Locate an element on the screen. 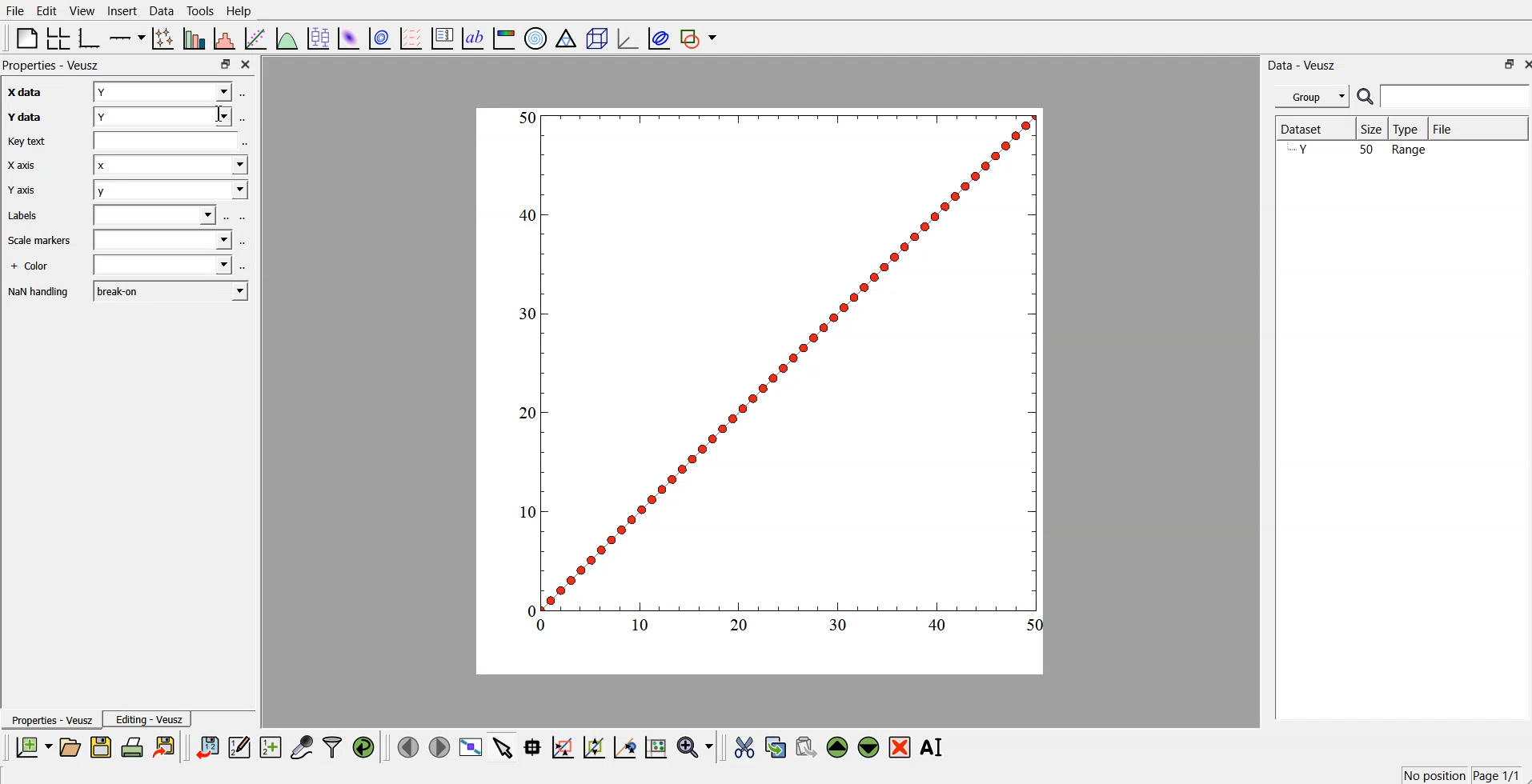  Key text field is located at coordinates (166, 142).